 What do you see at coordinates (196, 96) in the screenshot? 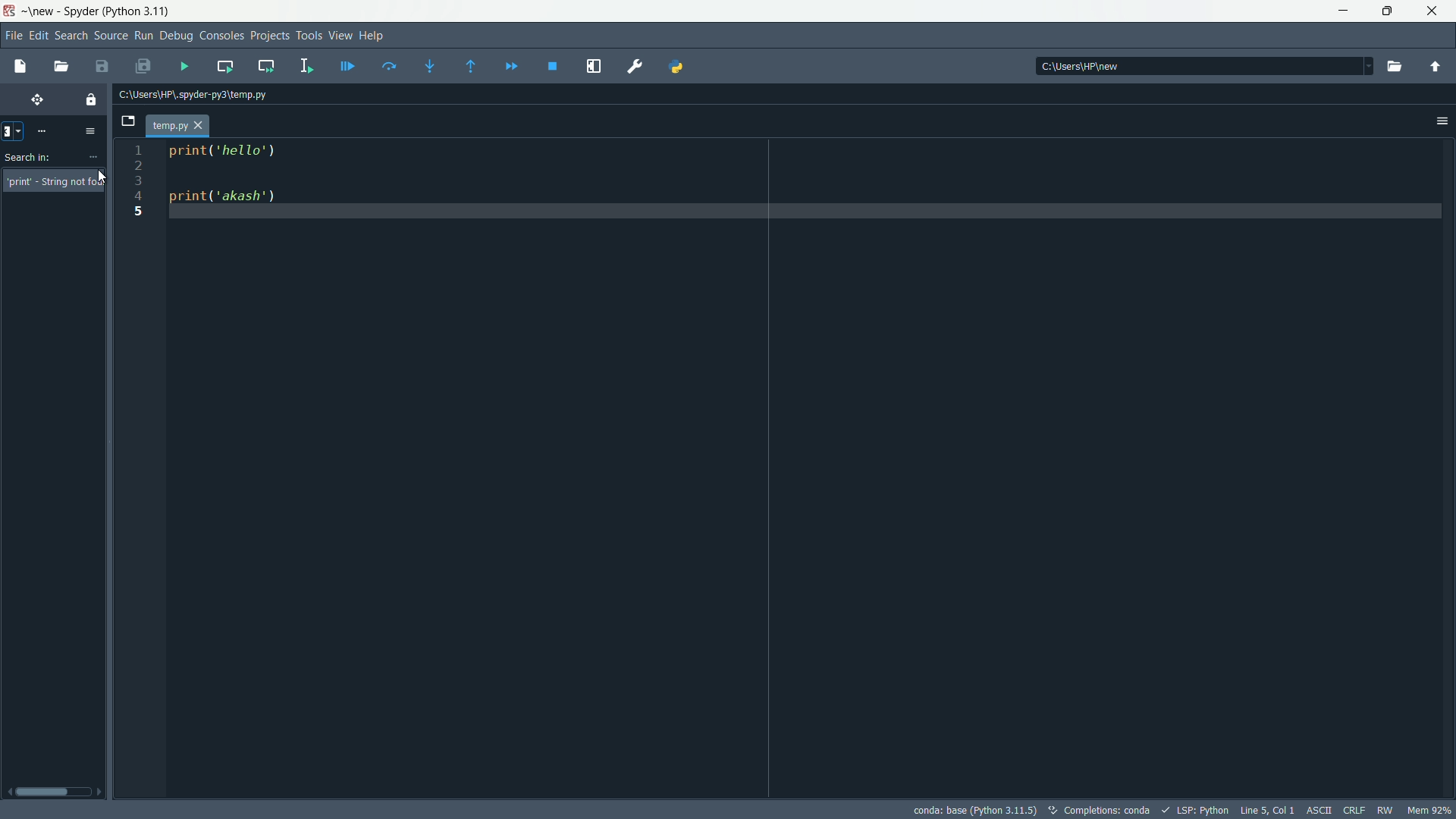
I see `file directory` at bounding box center [196, 96].